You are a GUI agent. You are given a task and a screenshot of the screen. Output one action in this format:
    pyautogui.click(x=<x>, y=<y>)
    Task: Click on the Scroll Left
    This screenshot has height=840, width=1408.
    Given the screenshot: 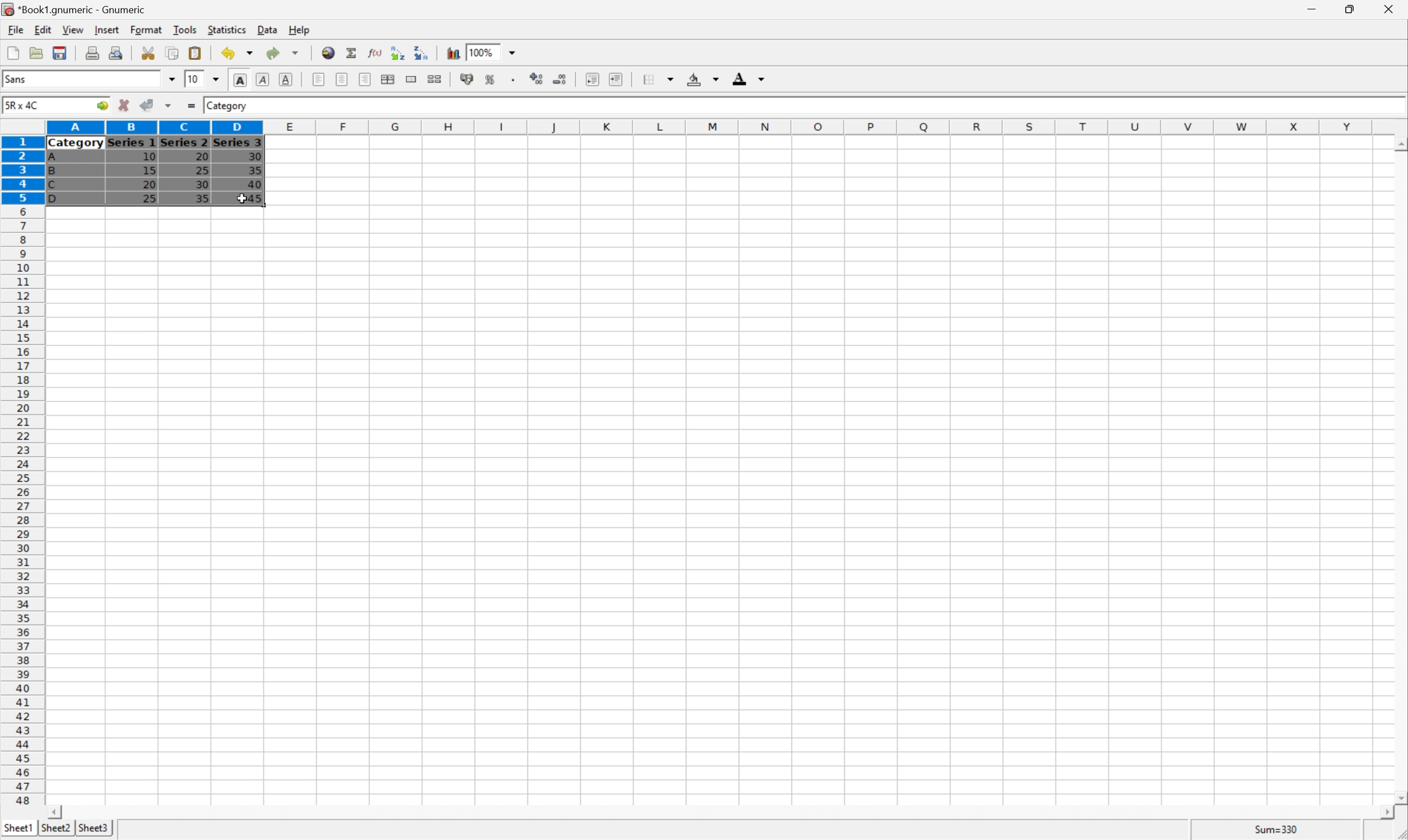 What is the action you would take?
    pyautogui.click(x=57, y=812)
    